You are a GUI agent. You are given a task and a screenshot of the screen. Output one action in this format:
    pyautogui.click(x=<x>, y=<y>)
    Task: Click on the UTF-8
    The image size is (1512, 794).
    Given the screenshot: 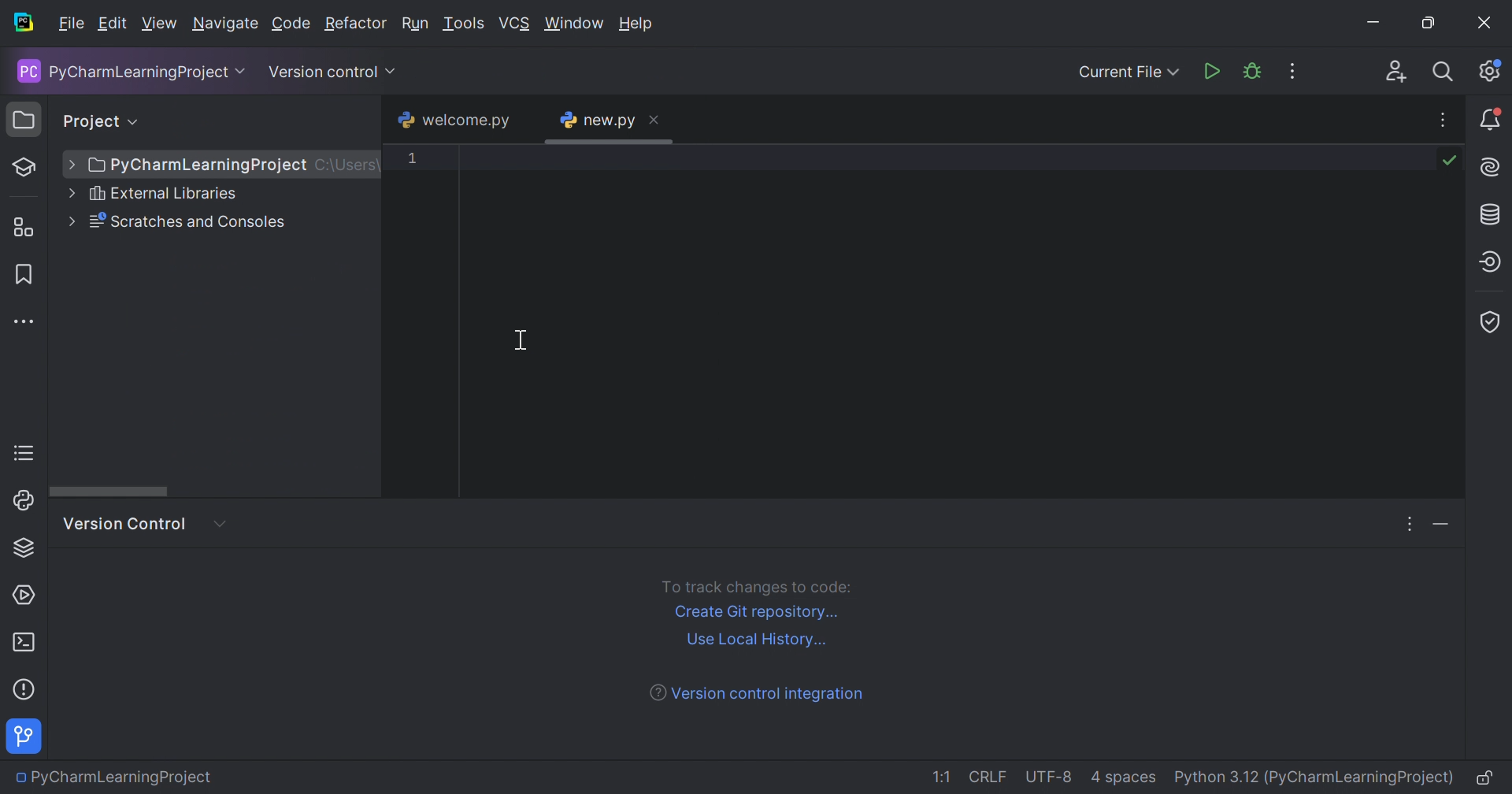 What is the action you would take?
    pyautogui.click(x=1049, y=777)
    